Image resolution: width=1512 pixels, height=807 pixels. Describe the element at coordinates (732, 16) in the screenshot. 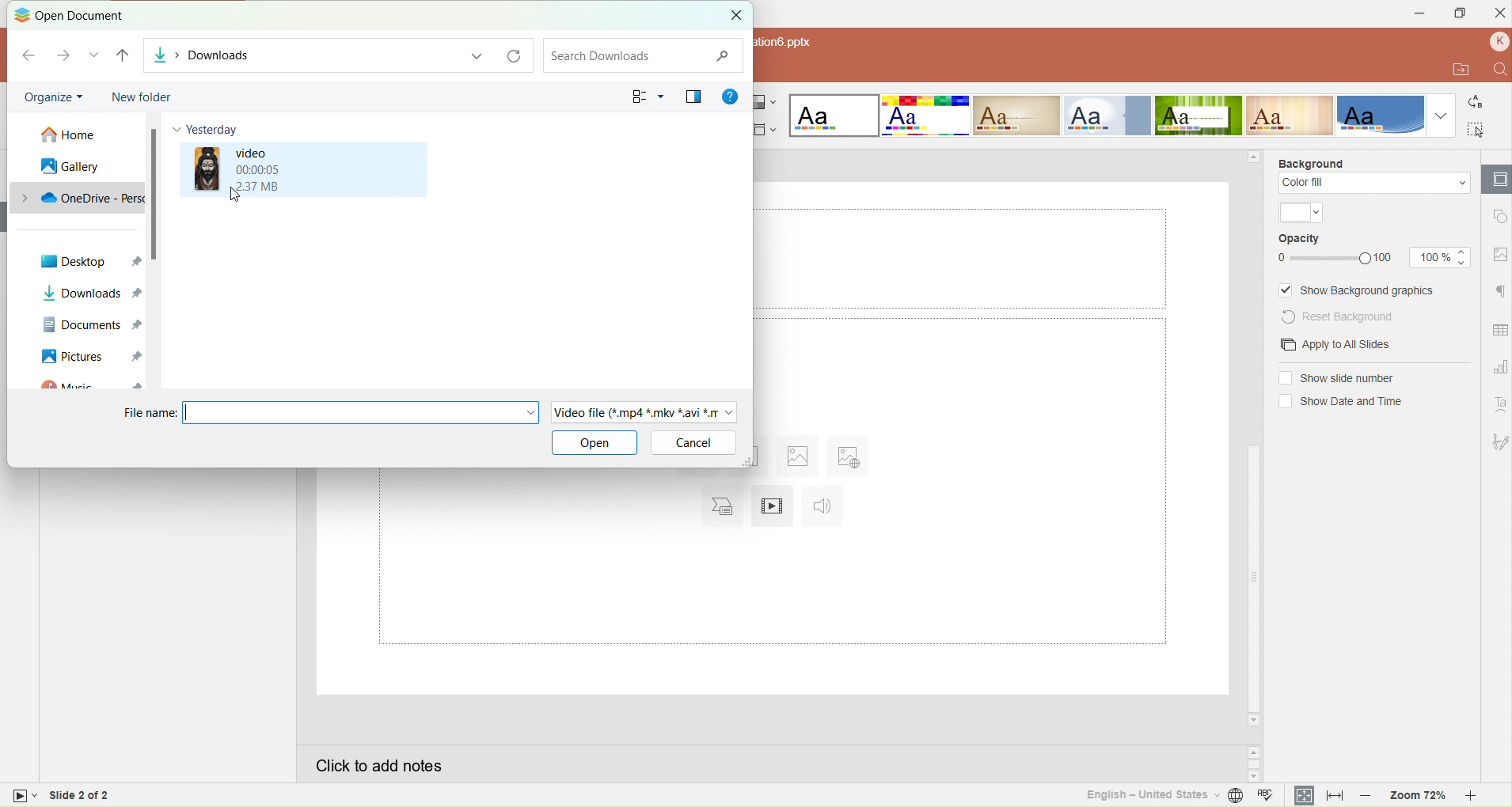

I see `Close` at that location.